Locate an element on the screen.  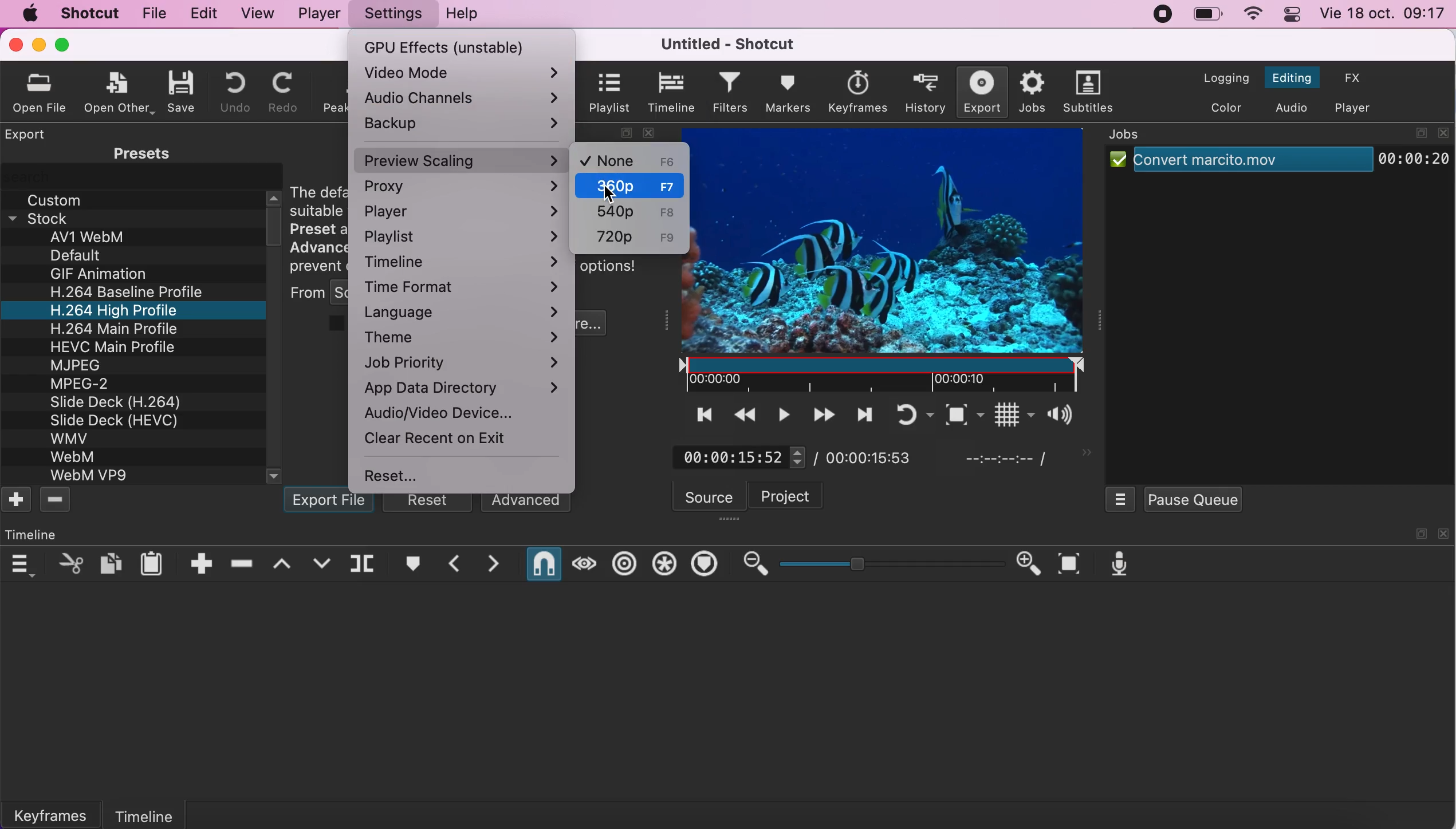
project is located at coordinates (799, 495).